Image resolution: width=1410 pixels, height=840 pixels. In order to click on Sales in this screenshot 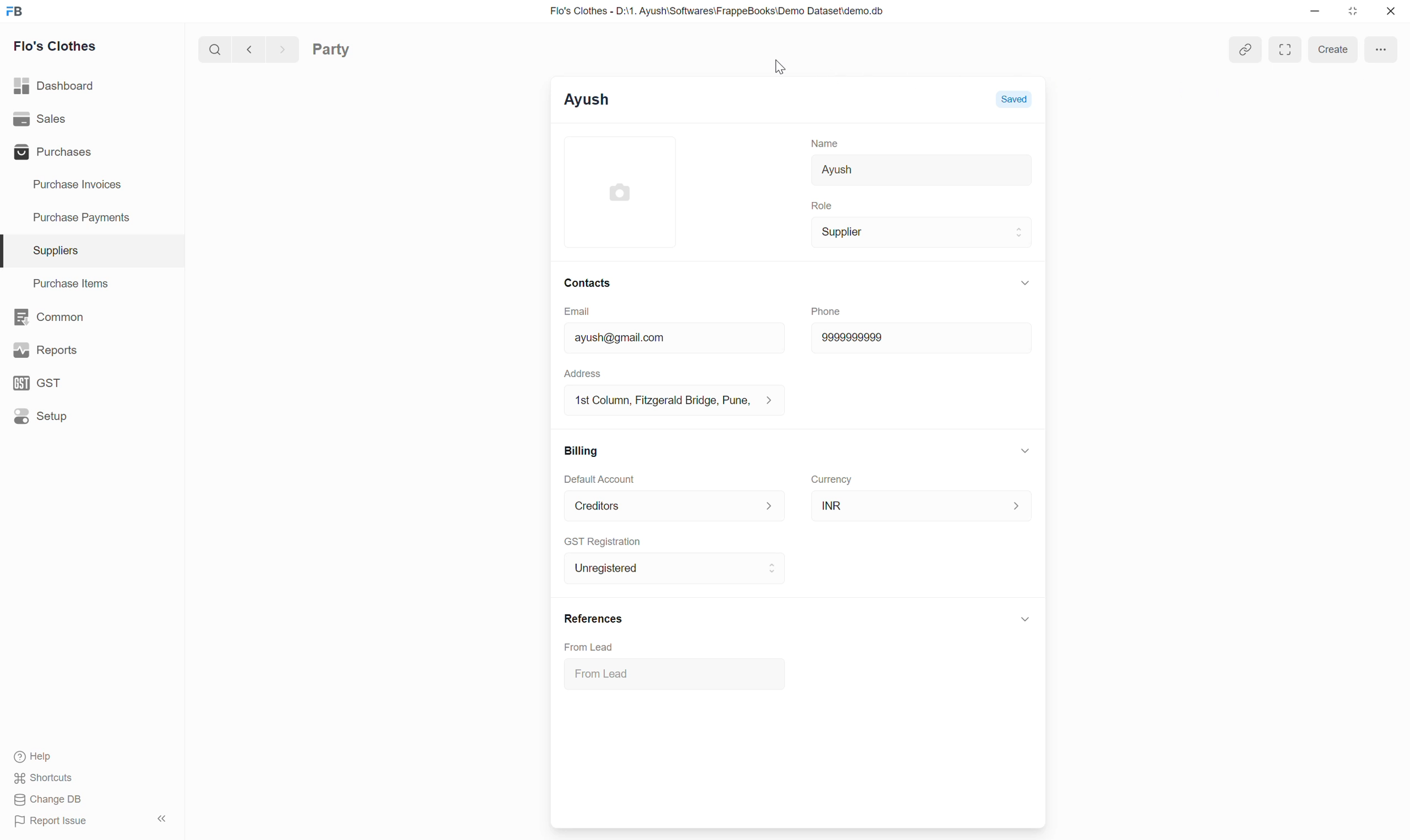, I will do `click(92, 119)`.